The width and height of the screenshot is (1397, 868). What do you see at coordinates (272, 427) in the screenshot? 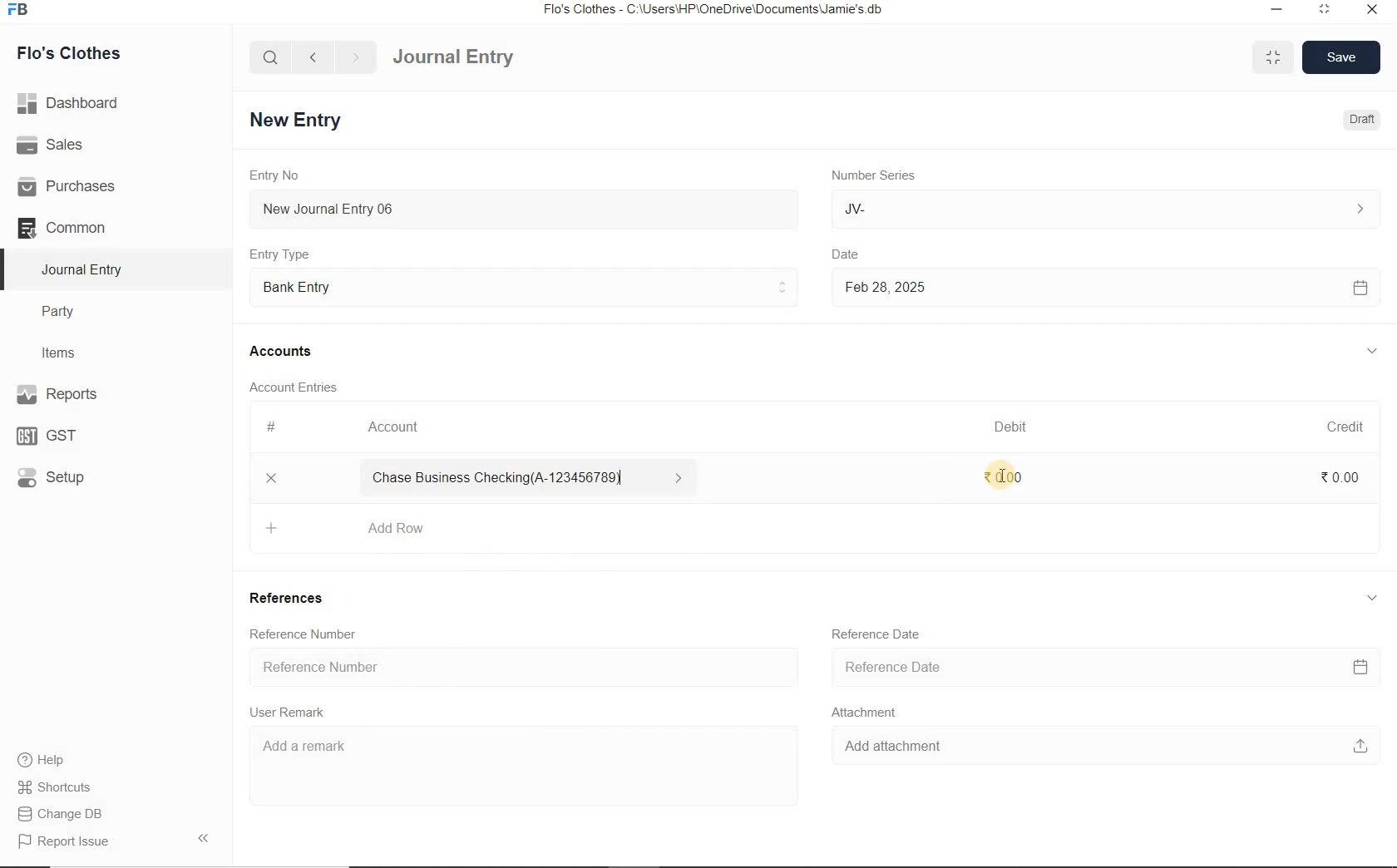
I see `#` at bounding box center [272, 427].